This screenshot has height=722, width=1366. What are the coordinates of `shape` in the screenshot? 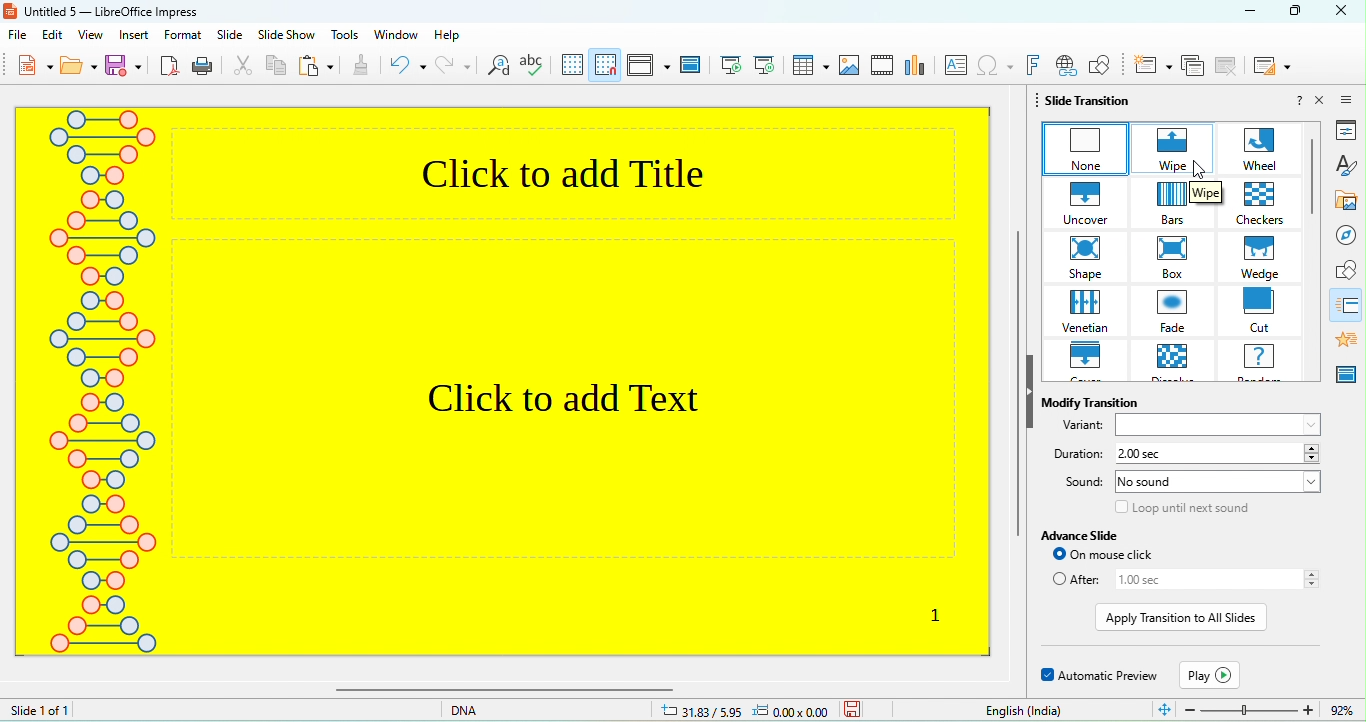 It's located at (1346, 269).